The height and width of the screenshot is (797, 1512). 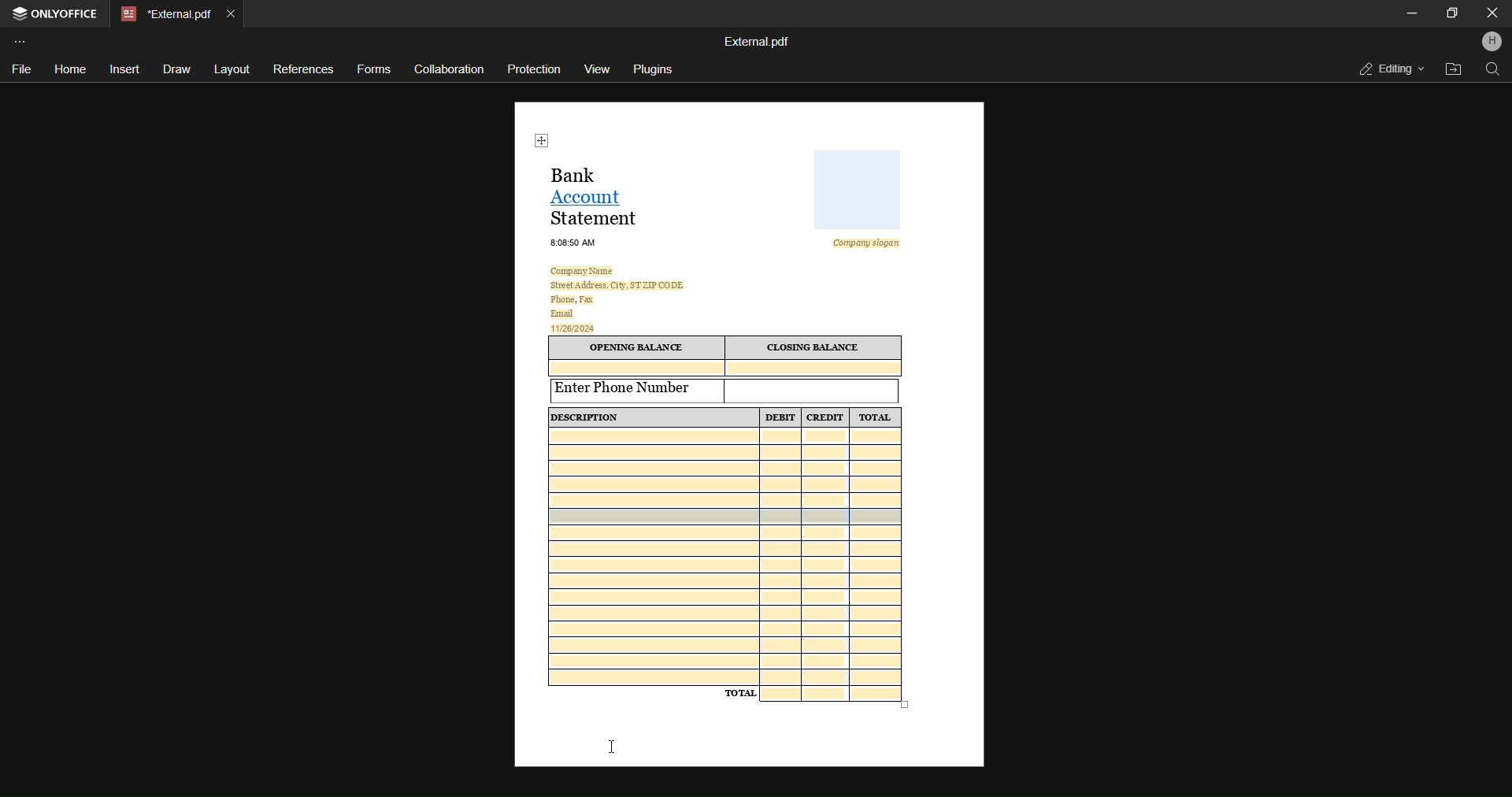 What do you see at coordinates (372, 72) in the screenshot?
I see `forms` at bounding box center [372, 72].